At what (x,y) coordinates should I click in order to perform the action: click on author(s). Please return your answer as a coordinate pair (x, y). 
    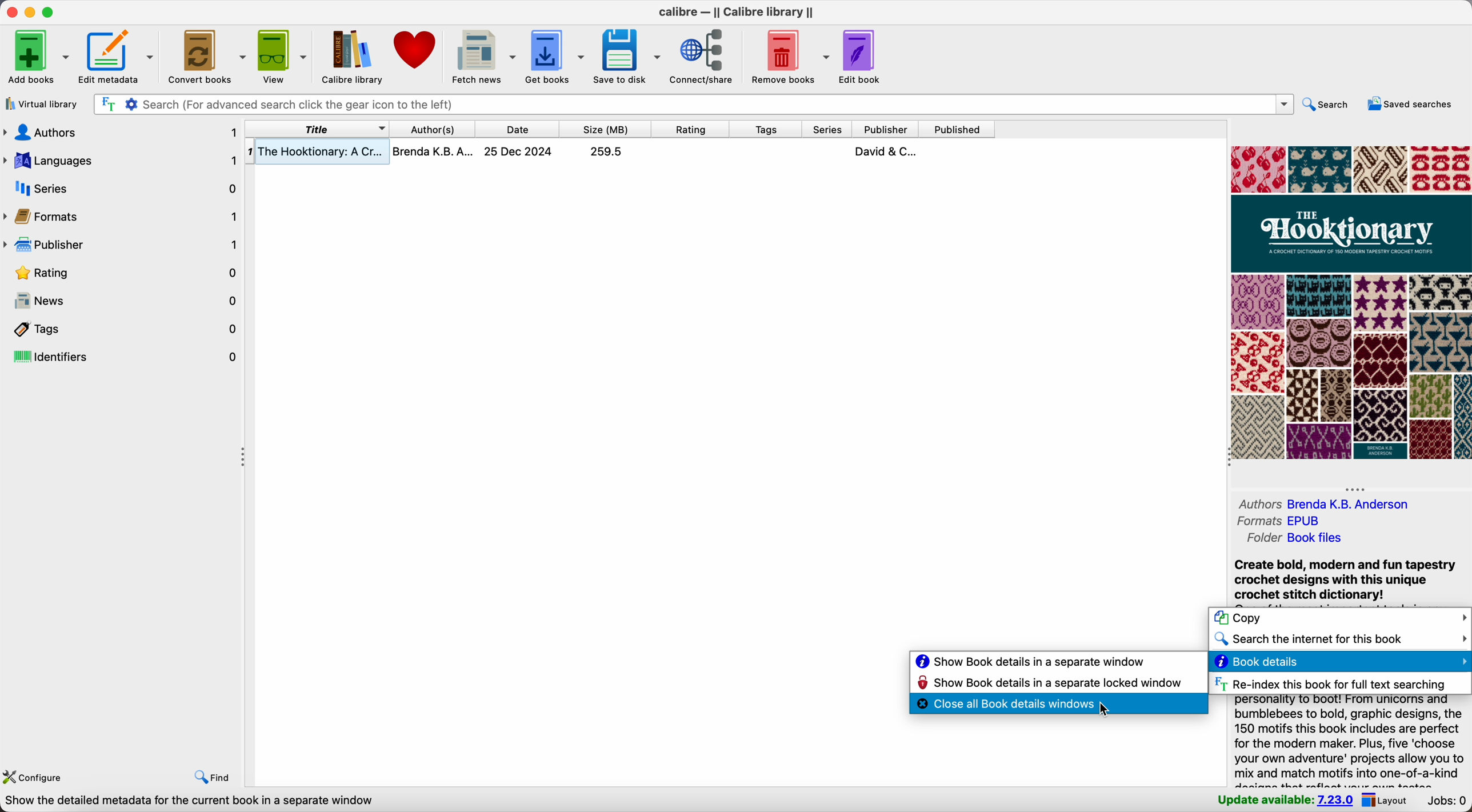
    Looking at the image, I should click on (431, 129).